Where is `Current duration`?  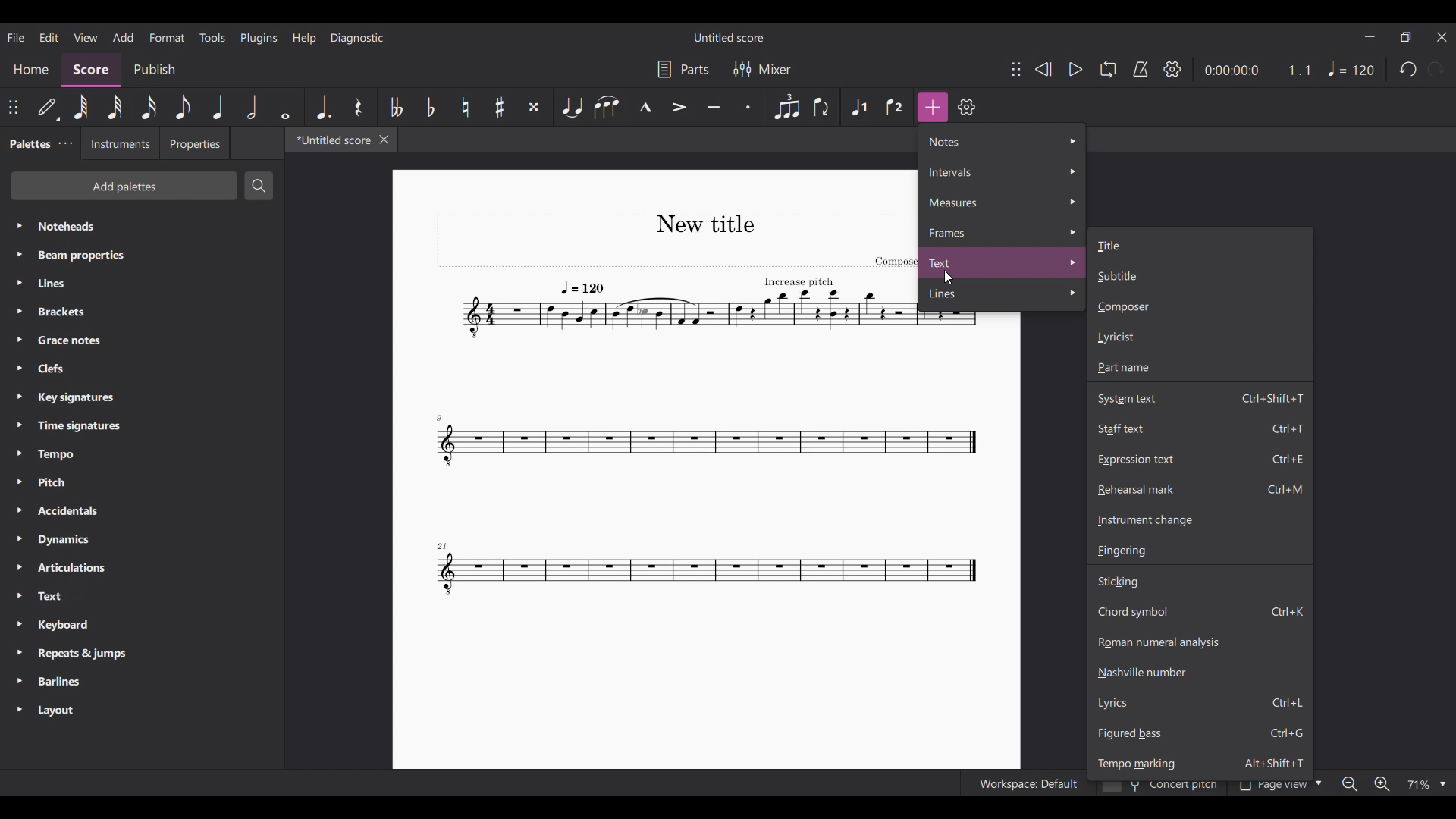
Current duration is located at coordinates (1230, 70).